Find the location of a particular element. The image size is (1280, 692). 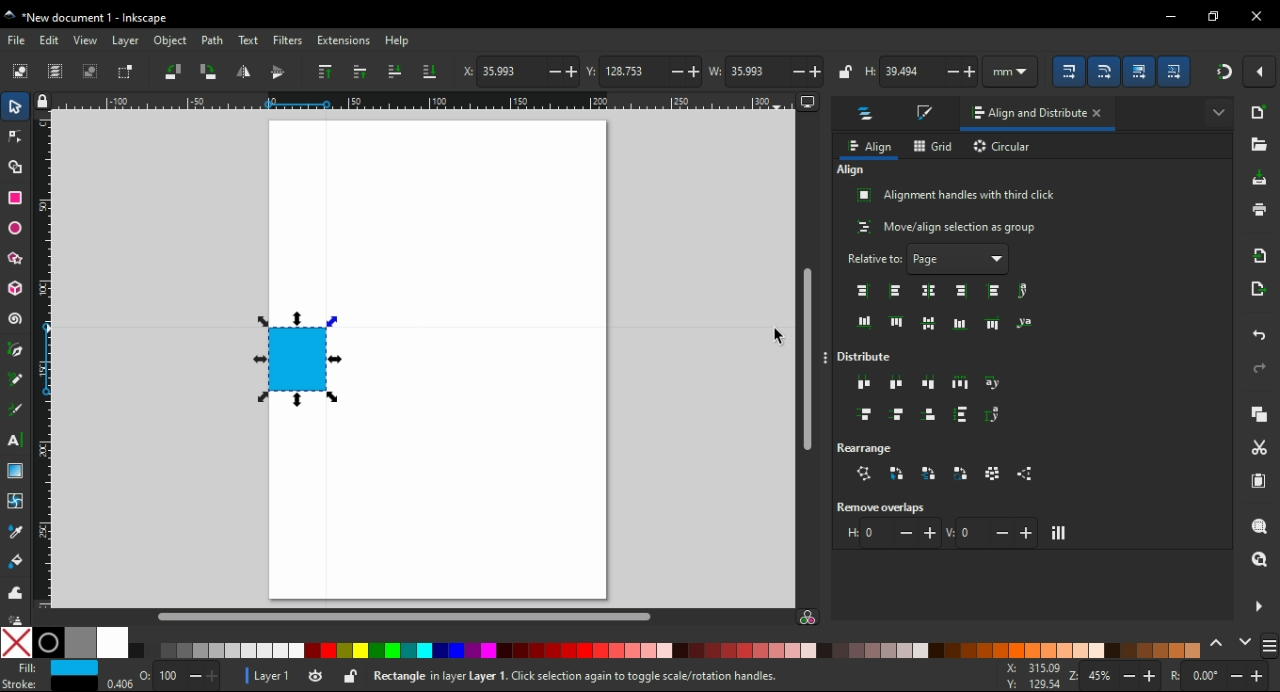

distribute vertically with even spacing between top edges is located at coordinates (863, 413).